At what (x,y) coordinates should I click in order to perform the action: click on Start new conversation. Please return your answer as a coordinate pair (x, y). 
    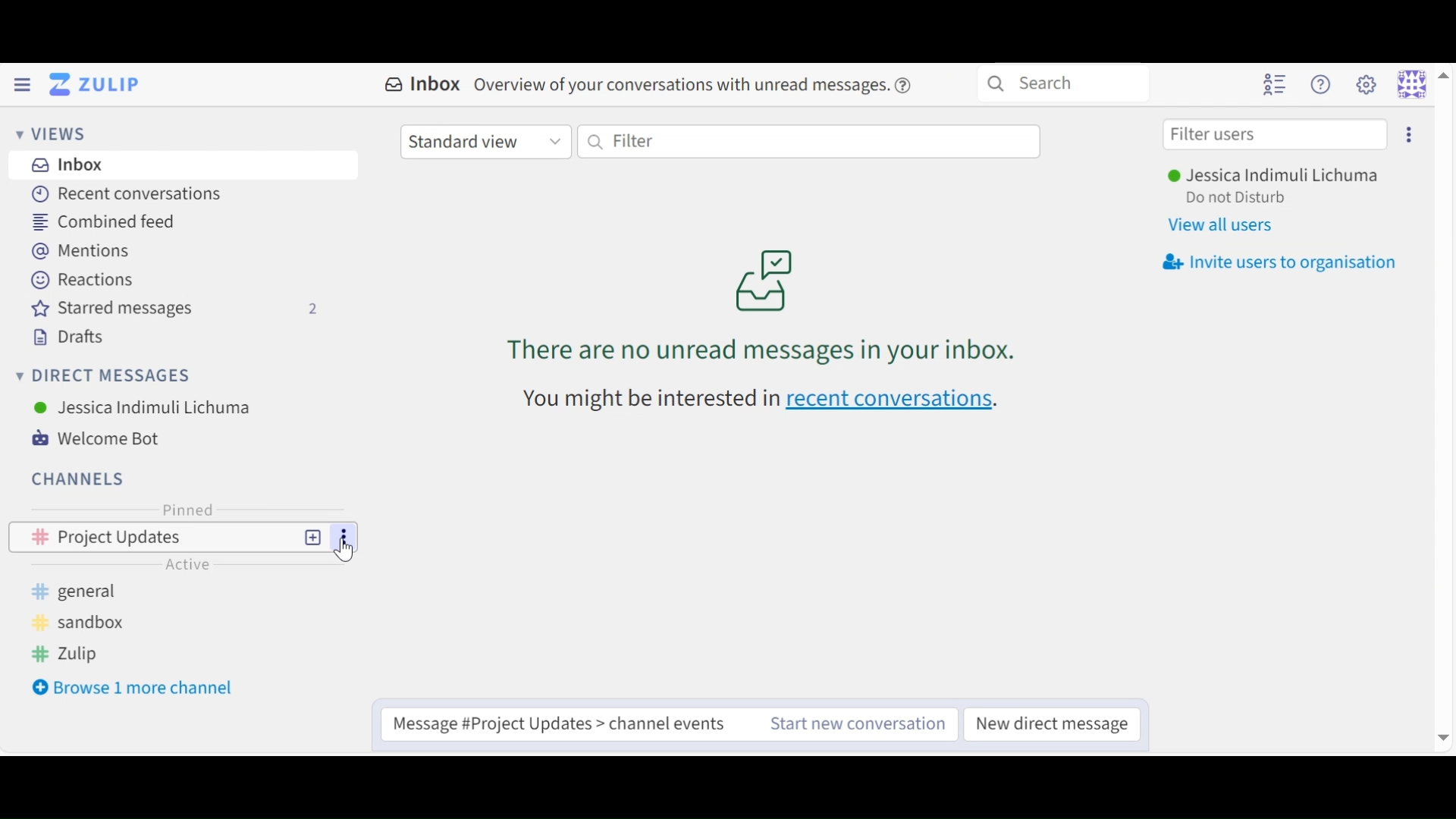
    Looking at the image, I should click on (858, 725).